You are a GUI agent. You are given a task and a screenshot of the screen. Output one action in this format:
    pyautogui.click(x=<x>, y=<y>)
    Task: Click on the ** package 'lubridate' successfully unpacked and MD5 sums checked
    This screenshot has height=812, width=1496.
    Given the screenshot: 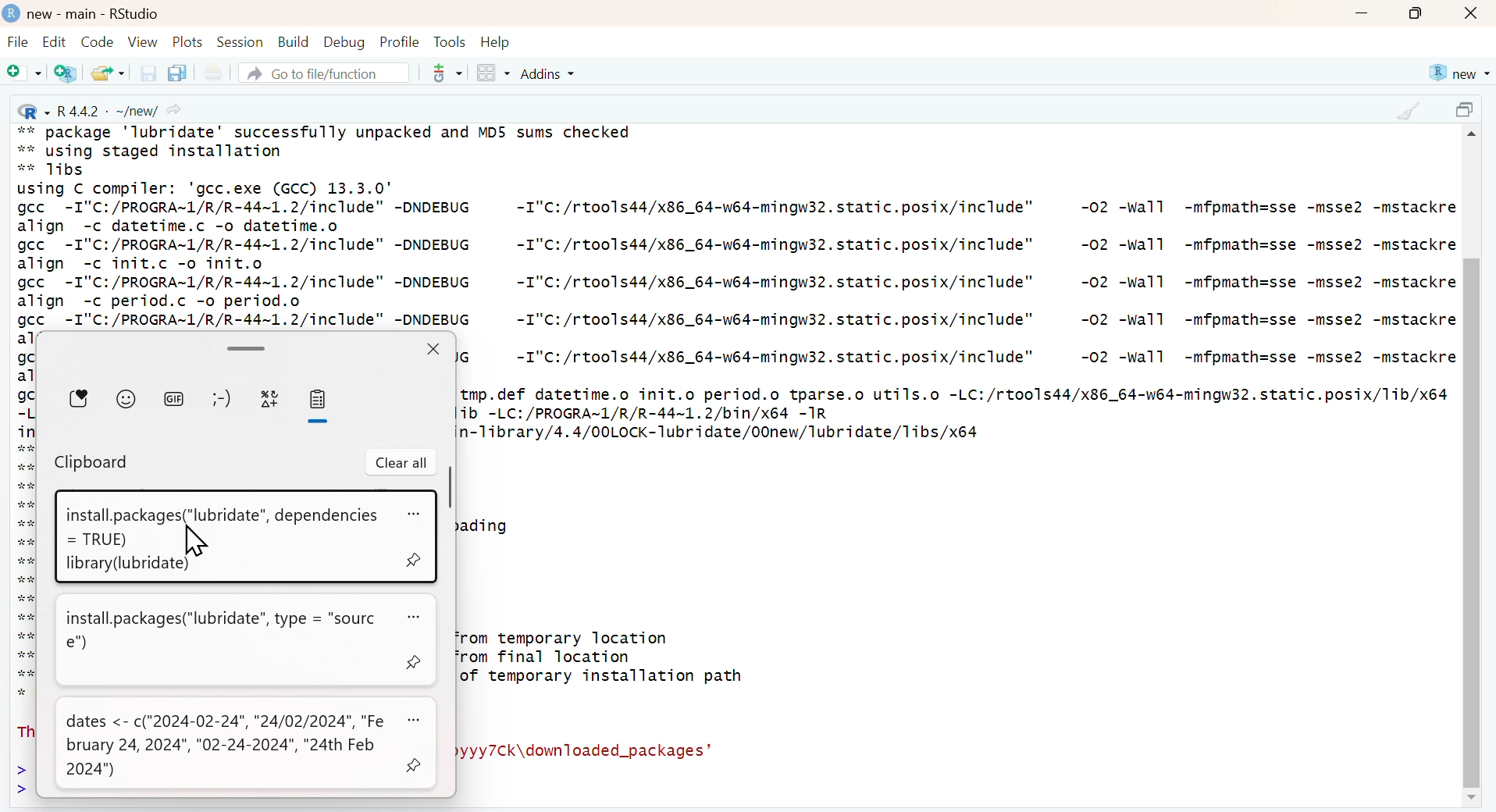 What is the action you would take?
    pyautogui.click(x=326, y=130)
    